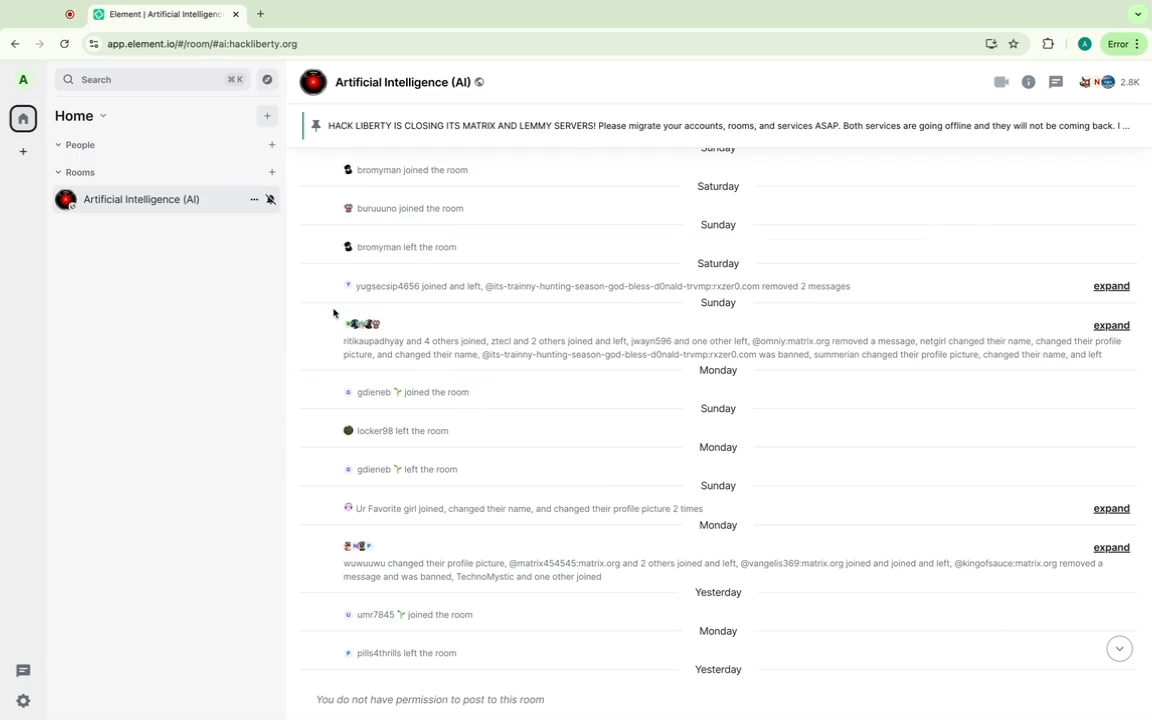 The height and width of the screenshot is (720, 1152). I want to click on , so click(369, 323).